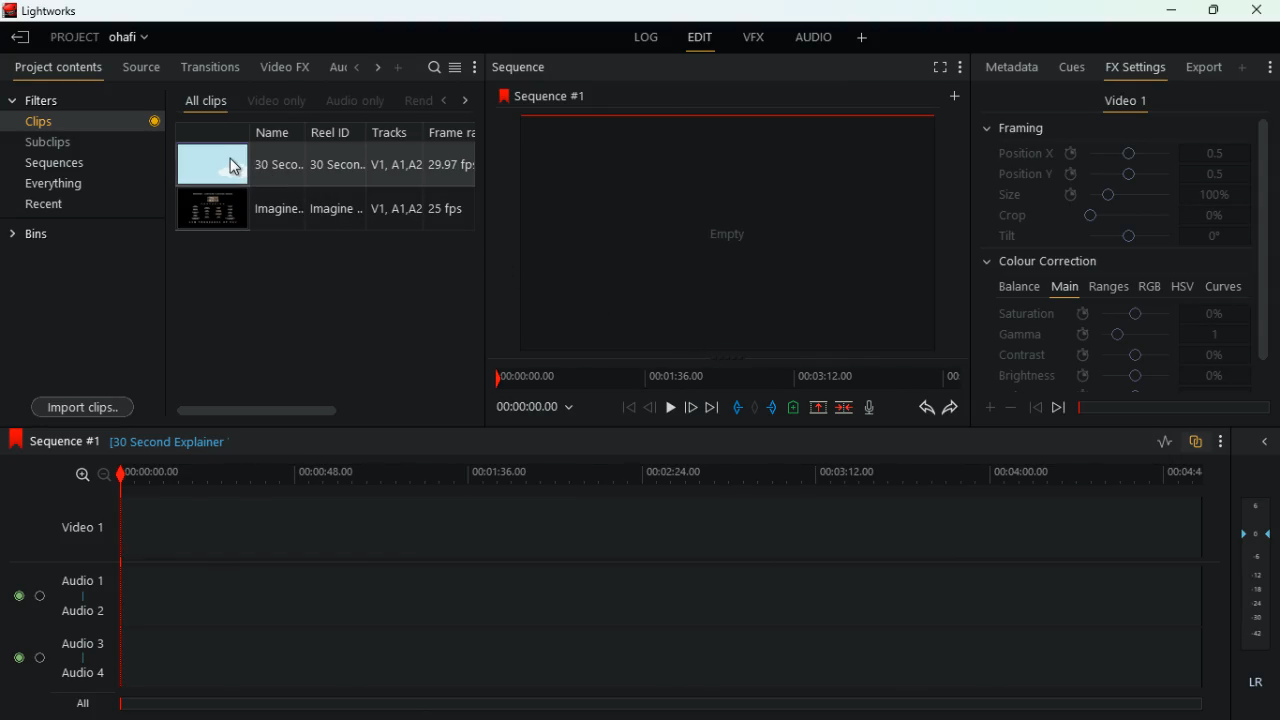 This screenshot has height=720, width=1280. What do you see at coordinates (646, 39) in the screenshot?
I see `log` at bounding box center [646, 39].